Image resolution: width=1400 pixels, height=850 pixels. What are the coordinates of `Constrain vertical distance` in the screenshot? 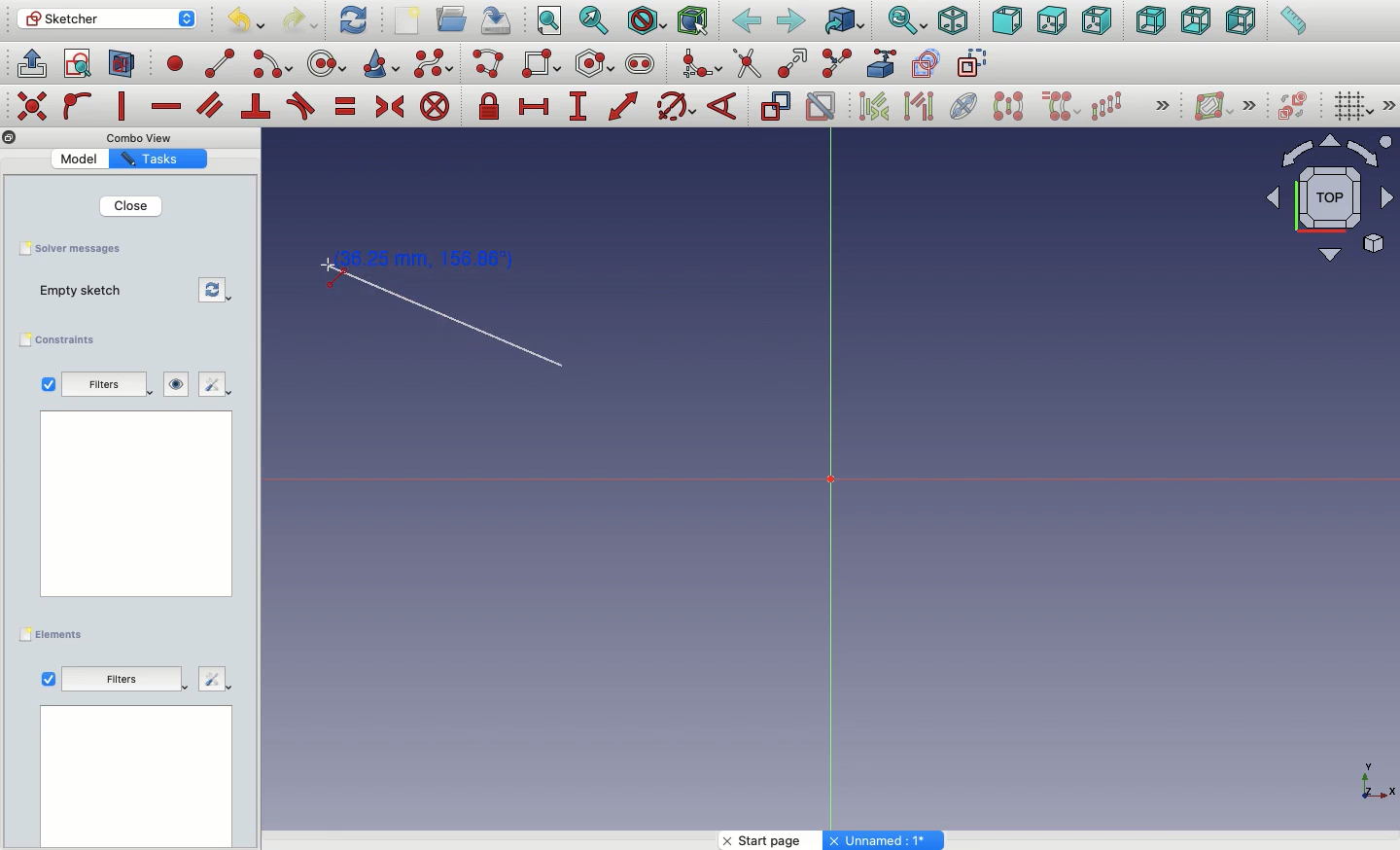 It's located at (581, 108).